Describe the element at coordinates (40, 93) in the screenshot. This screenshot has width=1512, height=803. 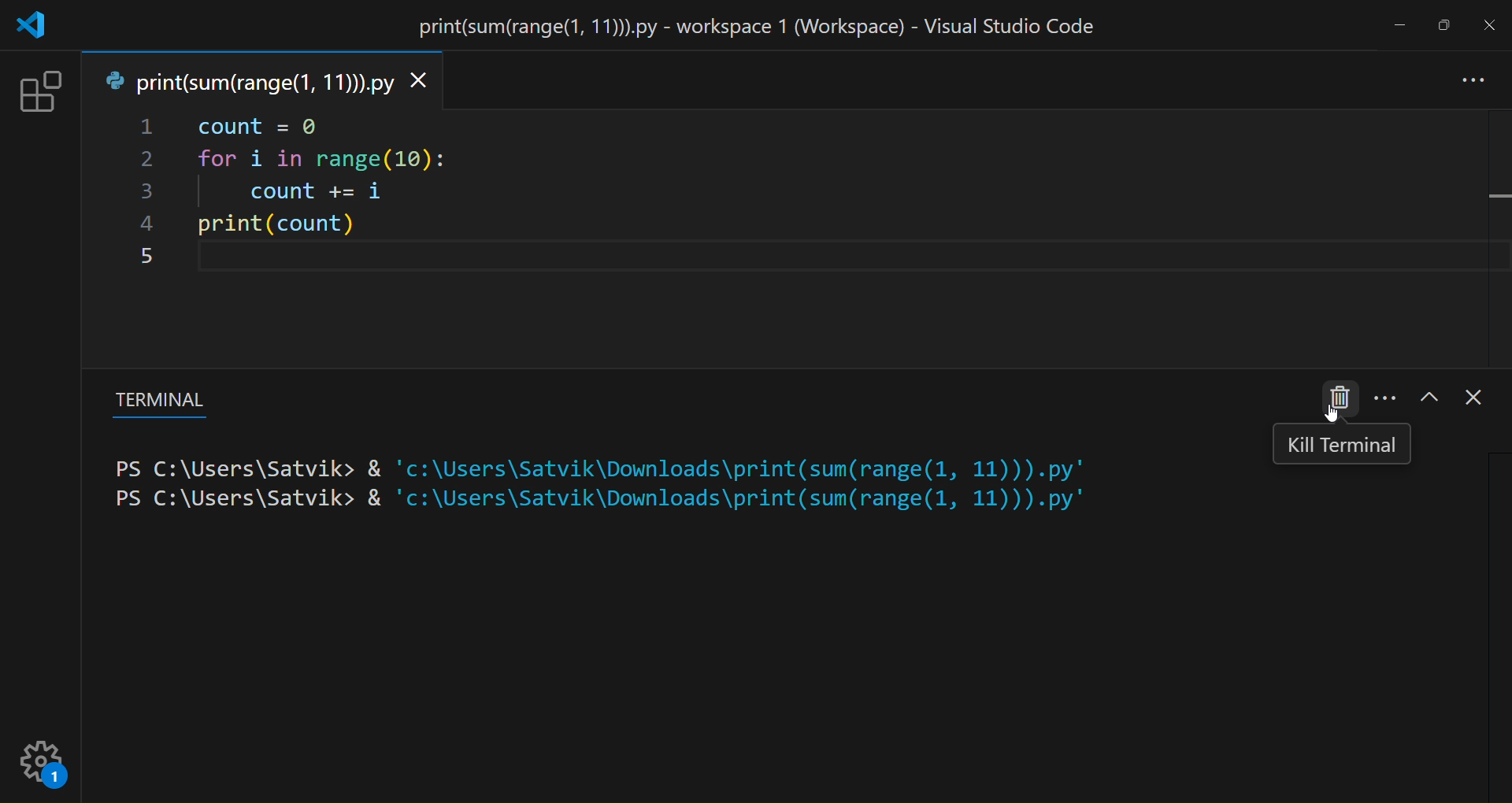
I see `extension` at that location.